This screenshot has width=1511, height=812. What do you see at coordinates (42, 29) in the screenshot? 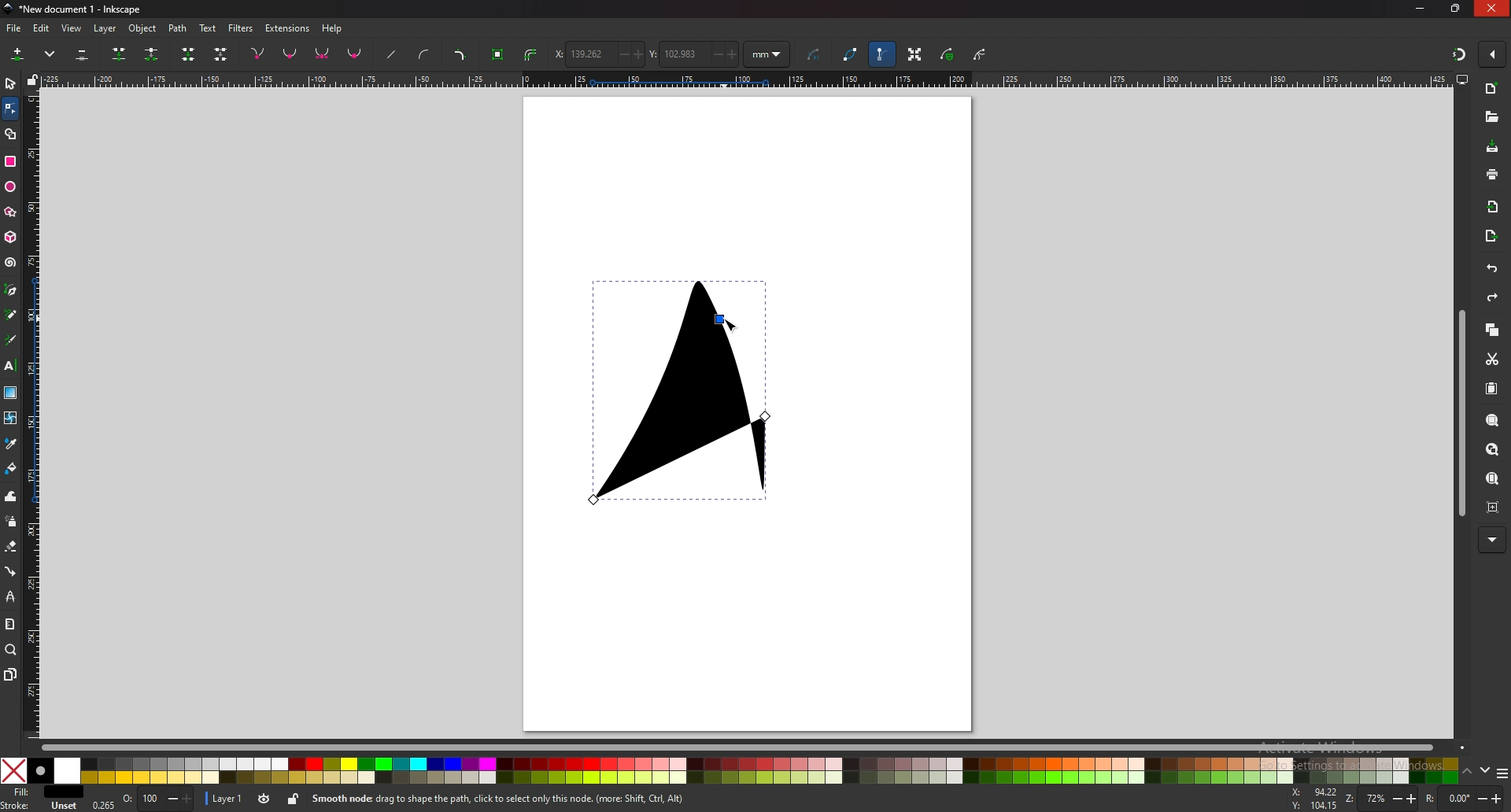
I see `edit` at bounding box center [42, 29].